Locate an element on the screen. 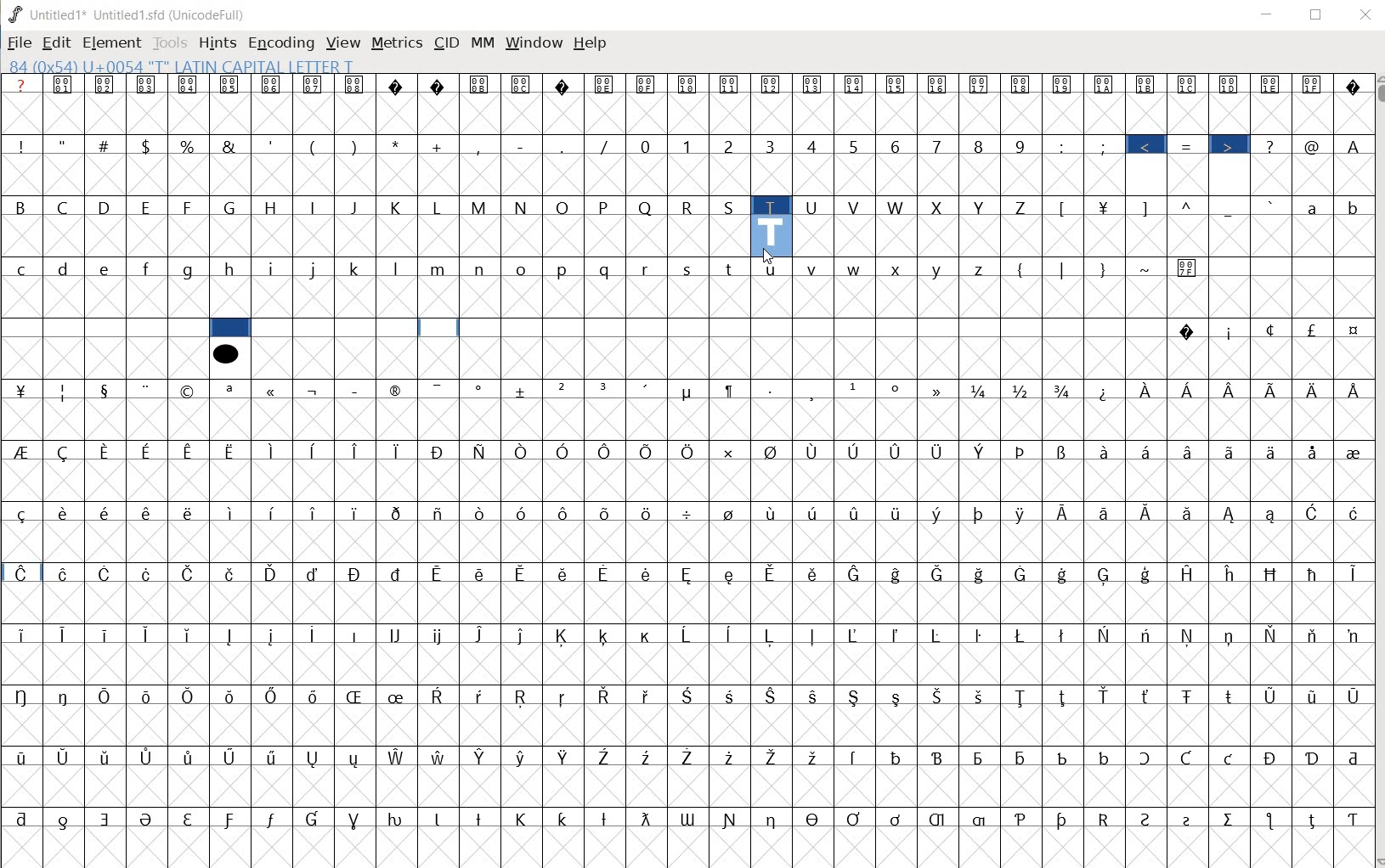  Symbol is located at coordinates (856, 389).